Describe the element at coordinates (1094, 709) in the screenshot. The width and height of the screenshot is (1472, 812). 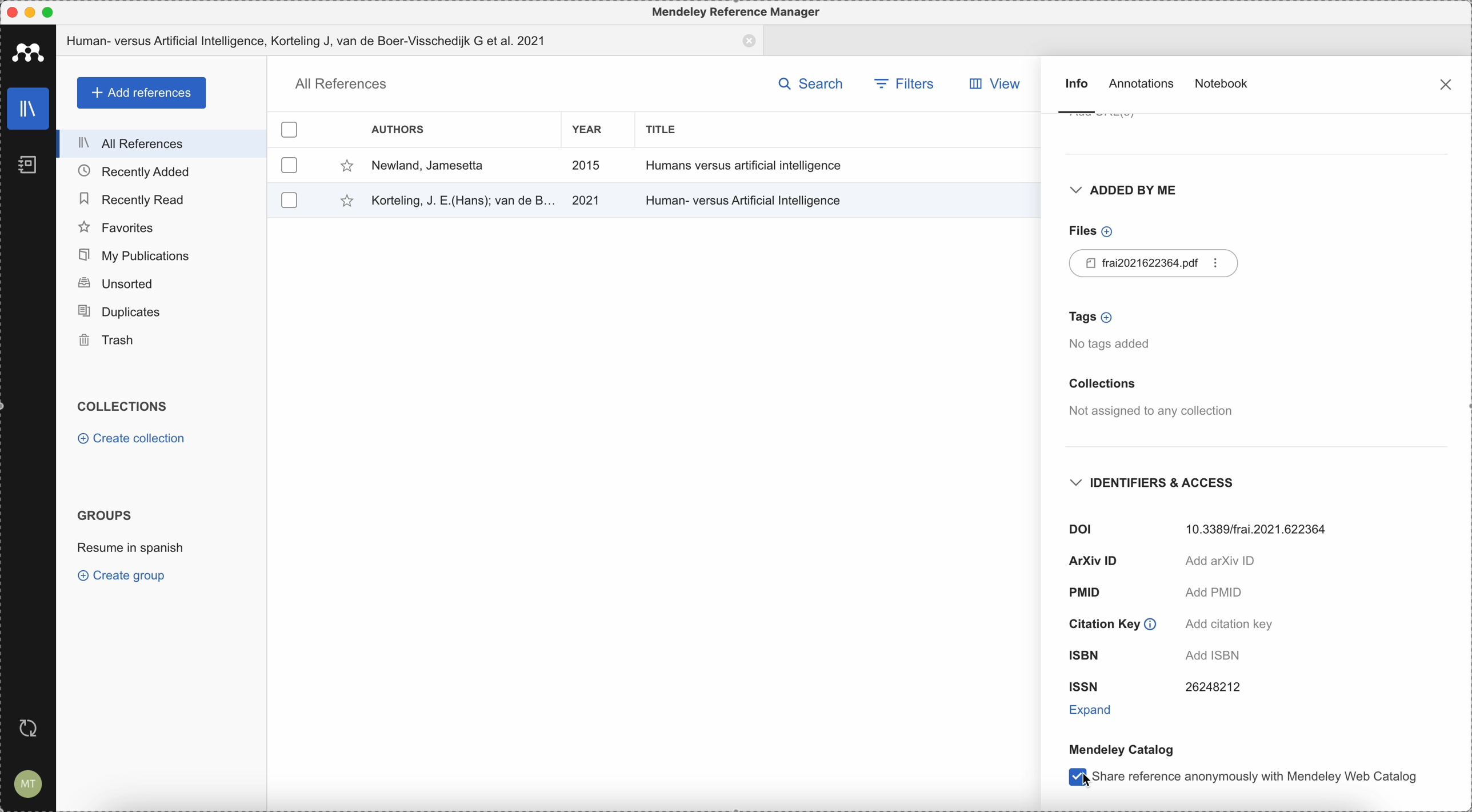
I see `expand` at that location.